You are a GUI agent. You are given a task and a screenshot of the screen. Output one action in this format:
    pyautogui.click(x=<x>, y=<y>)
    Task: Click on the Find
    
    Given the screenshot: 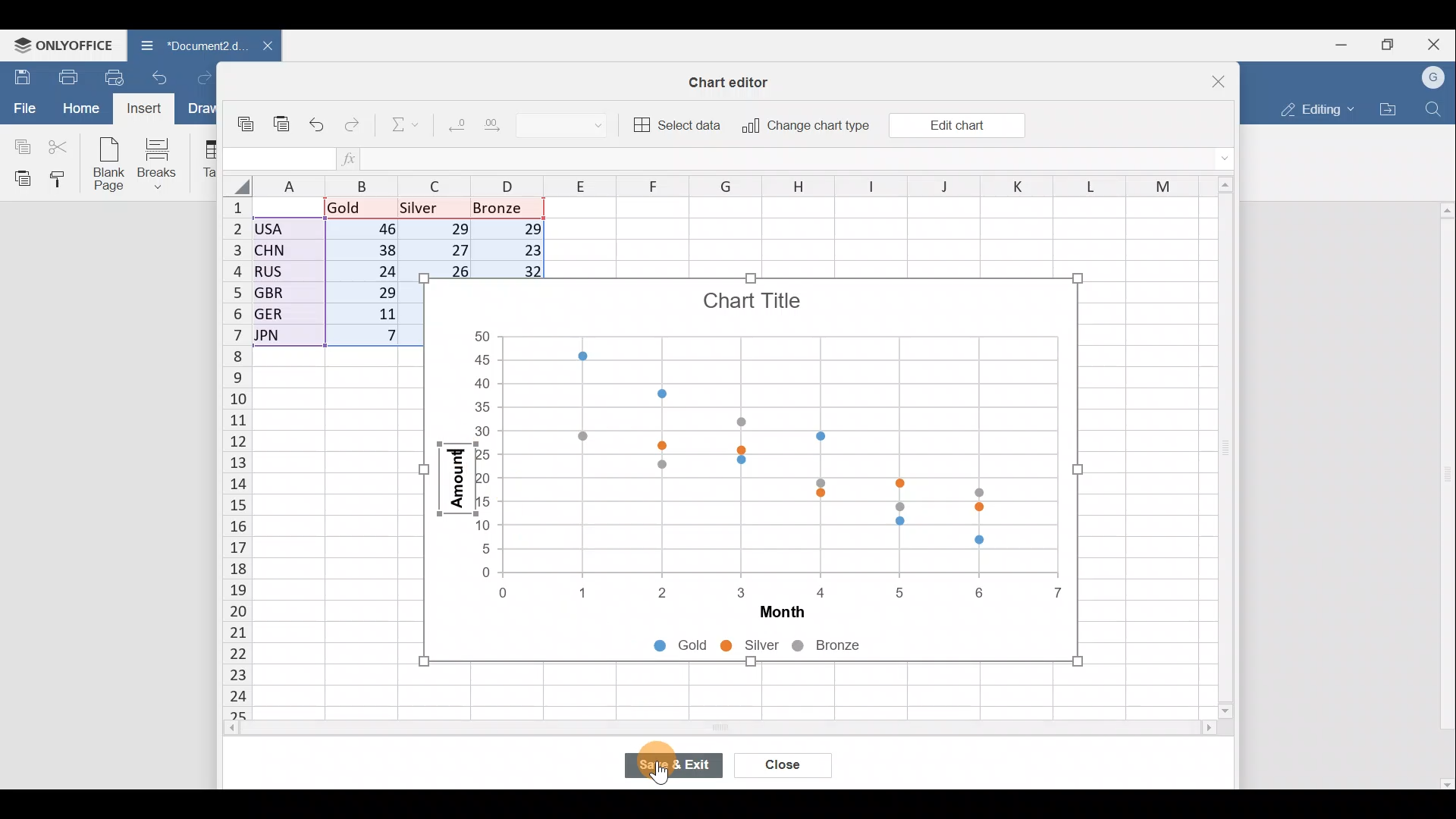 What is the action you would take?
    pyautogui.click(x=1434, y=109)
    